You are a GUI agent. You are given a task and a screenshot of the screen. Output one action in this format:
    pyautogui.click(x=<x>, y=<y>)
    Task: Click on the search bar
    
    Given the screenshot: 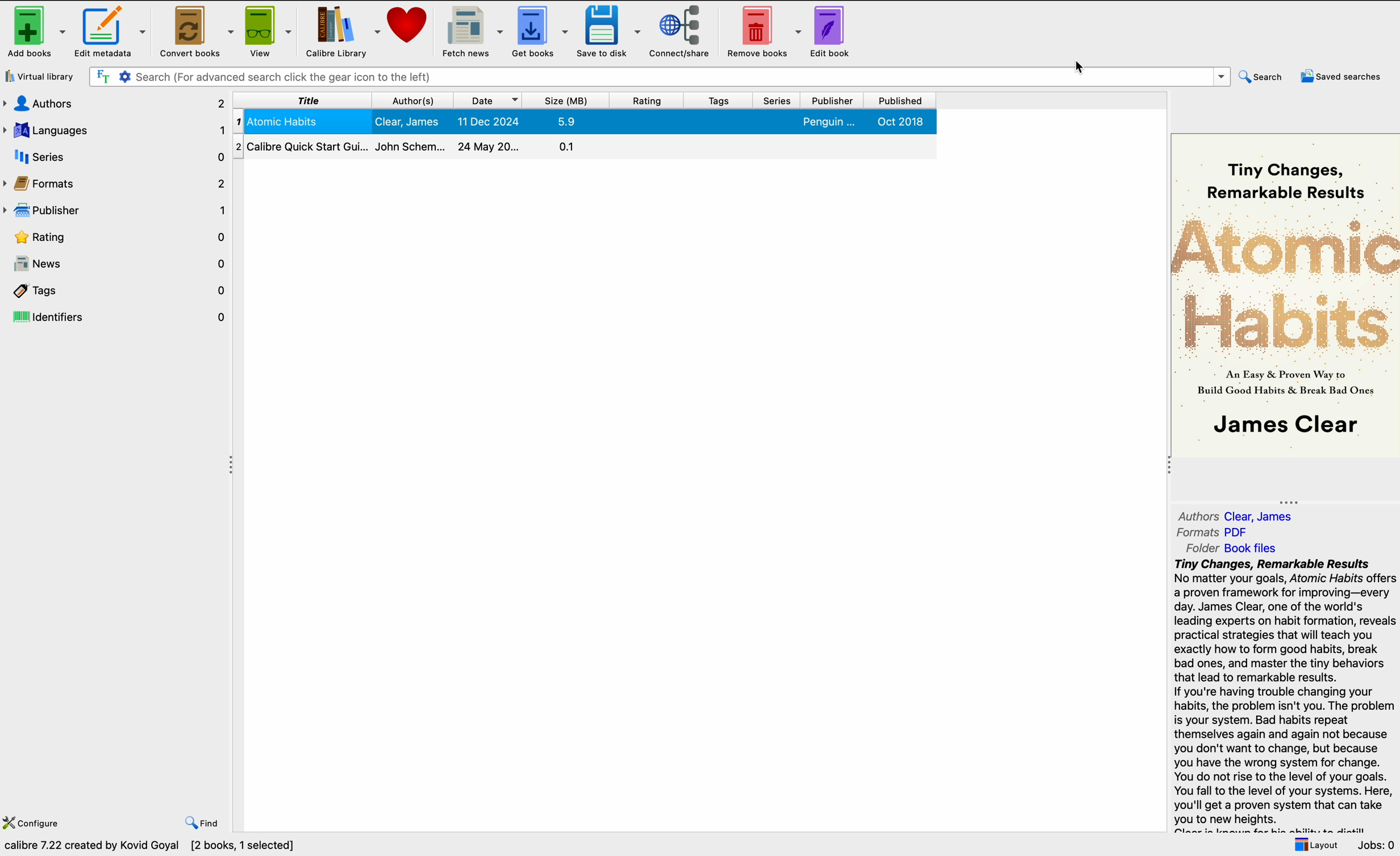 What is the action you would take?
    pyautogui.click(x=661, y=77)
    